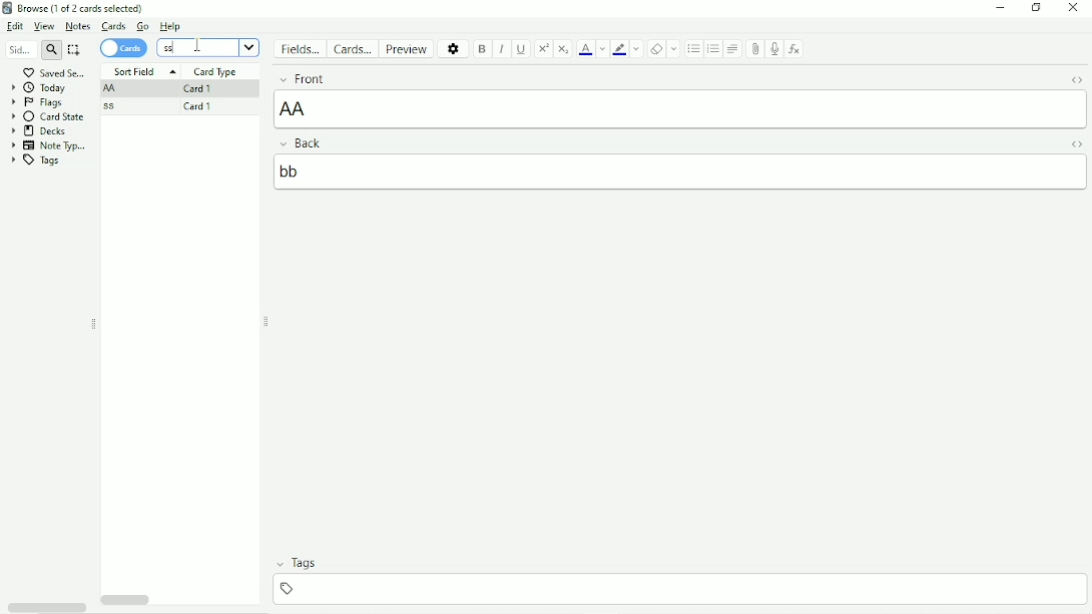  What do you see at coordinates (658, 143) in the screenshot?
I see `Back` at bounding box center [658, 143].